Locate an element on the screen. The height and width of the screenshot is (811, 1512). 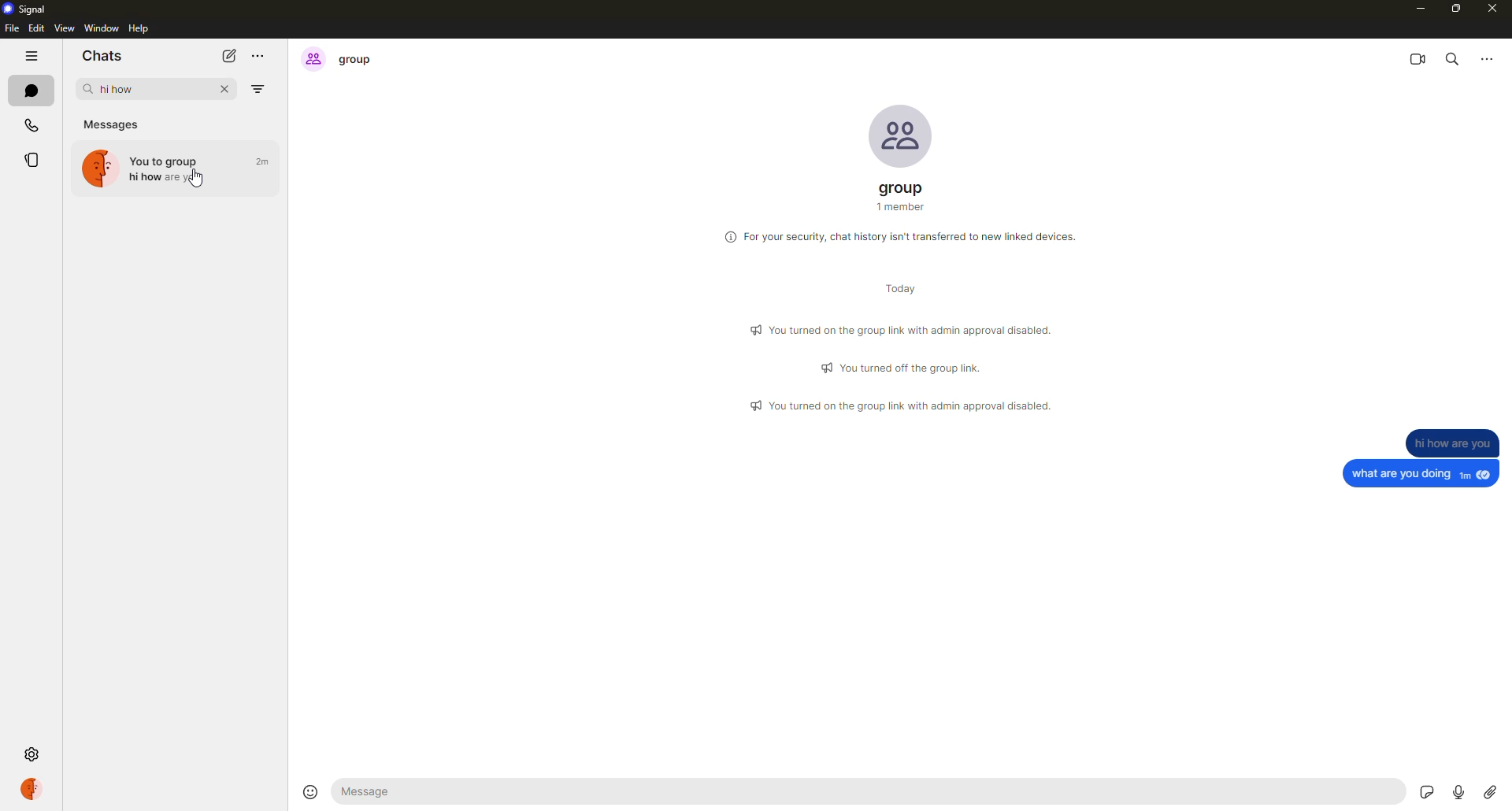
hide tabs is located at coordinates (31, 57).